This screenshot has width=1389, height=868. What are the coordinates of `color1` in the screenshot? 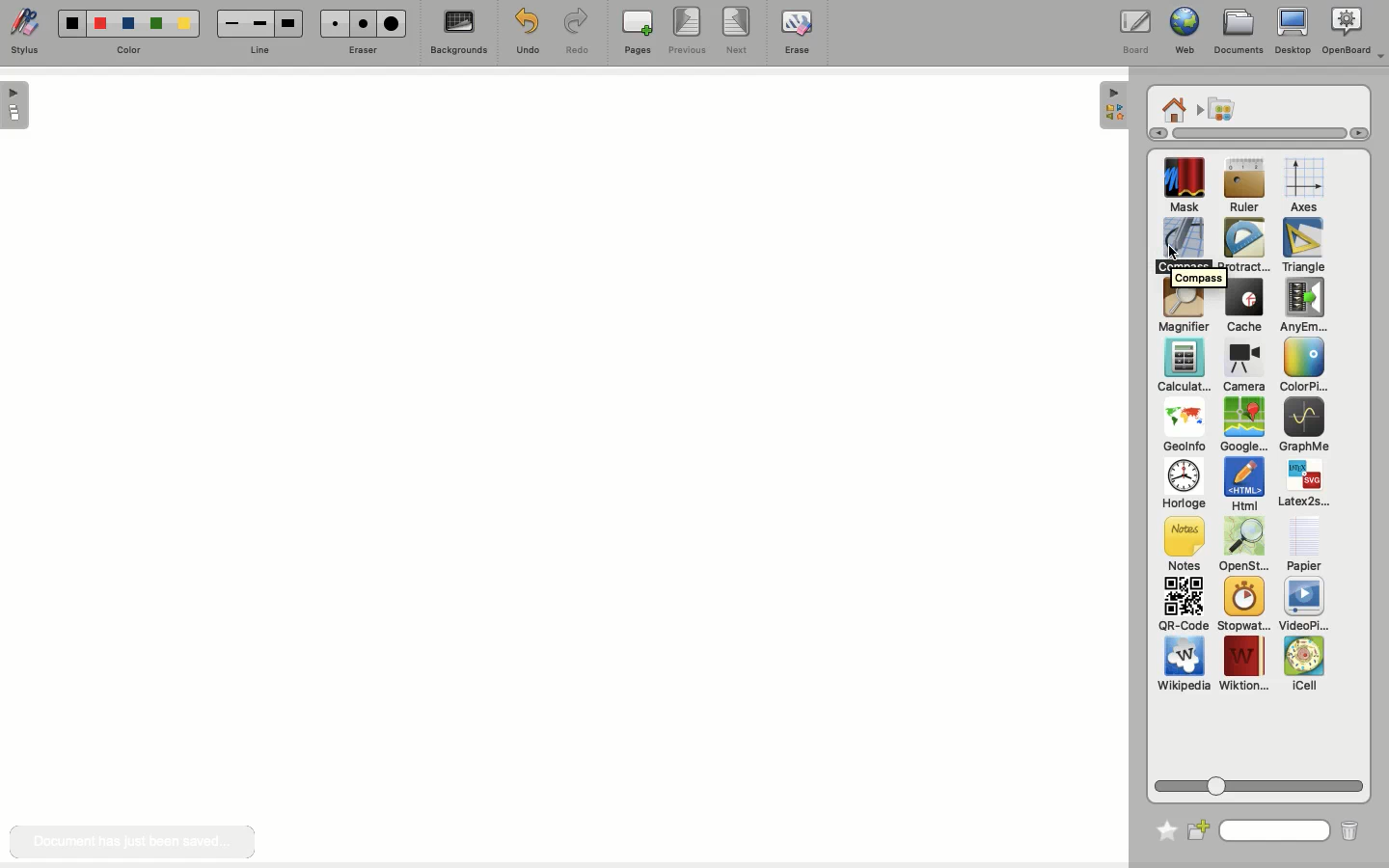 It's located at (69, 21).